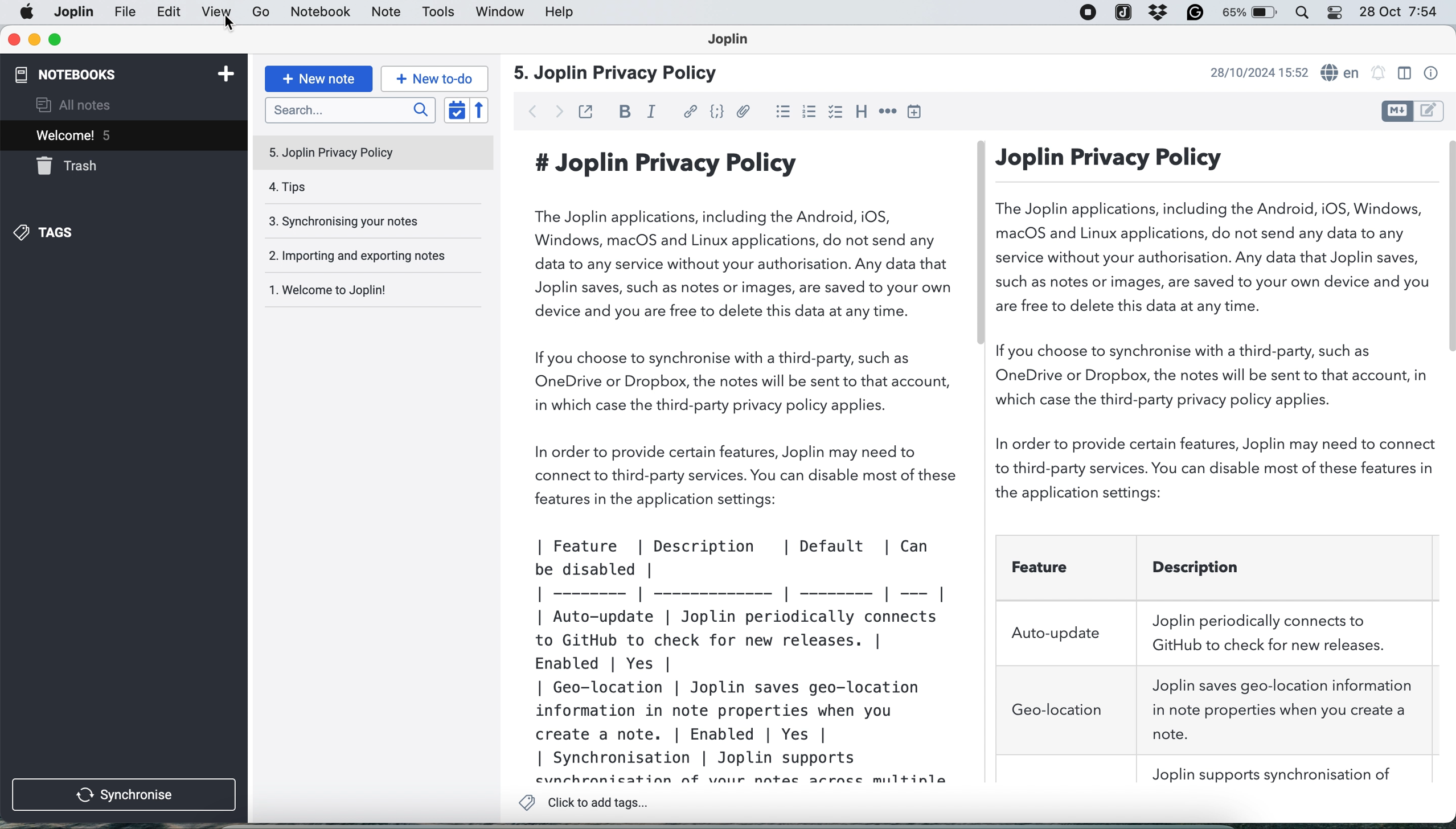  What do you see at coordinates (479, 109) in the screenshot?
I see `reverse order` at bounding box center [479, 109].